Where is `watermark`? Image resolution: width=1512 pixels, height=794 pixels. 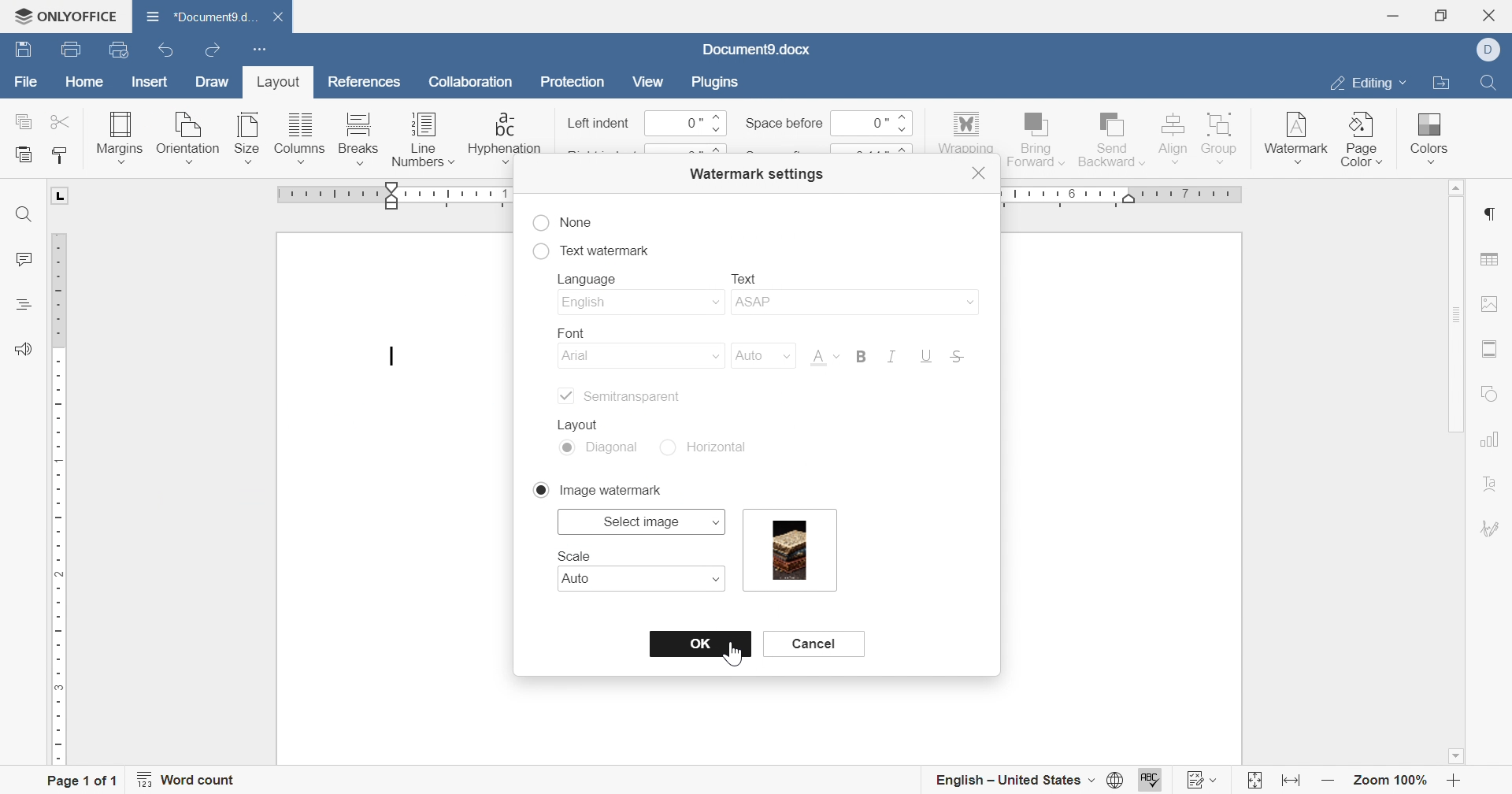
watermark is located at coordinates (1295, 133).